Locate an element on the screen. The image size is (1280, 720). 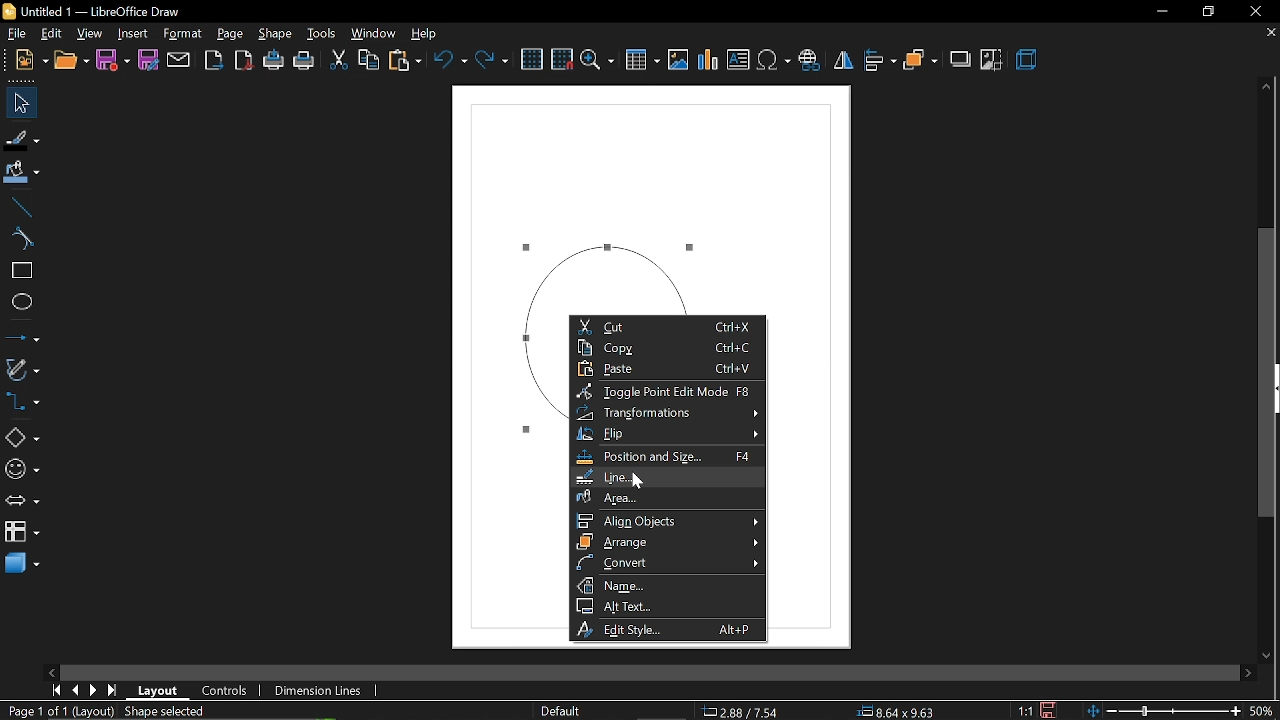
export as is located at coordinates (242, 62).